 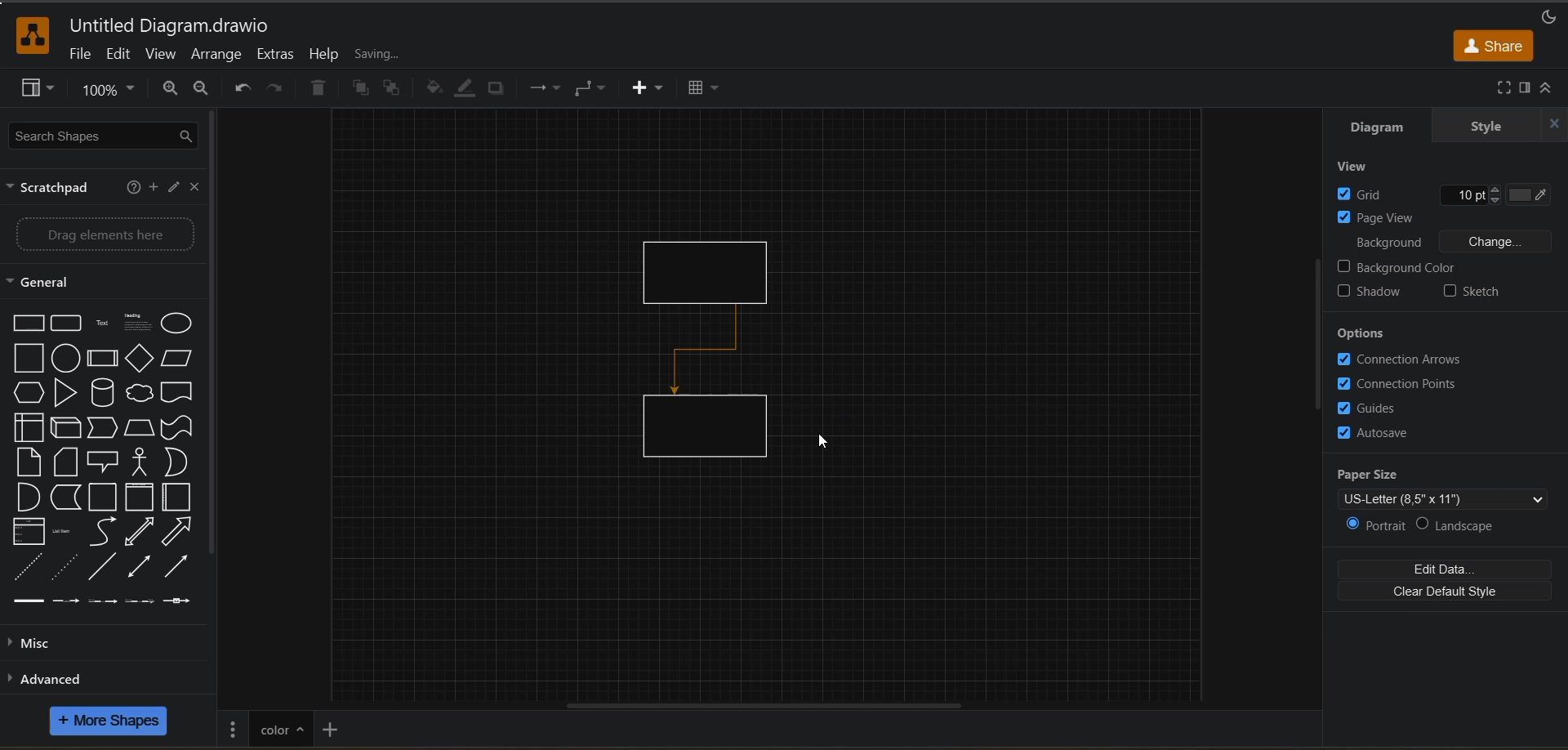 I want to click on waypoints, so click(x=544, y=90).